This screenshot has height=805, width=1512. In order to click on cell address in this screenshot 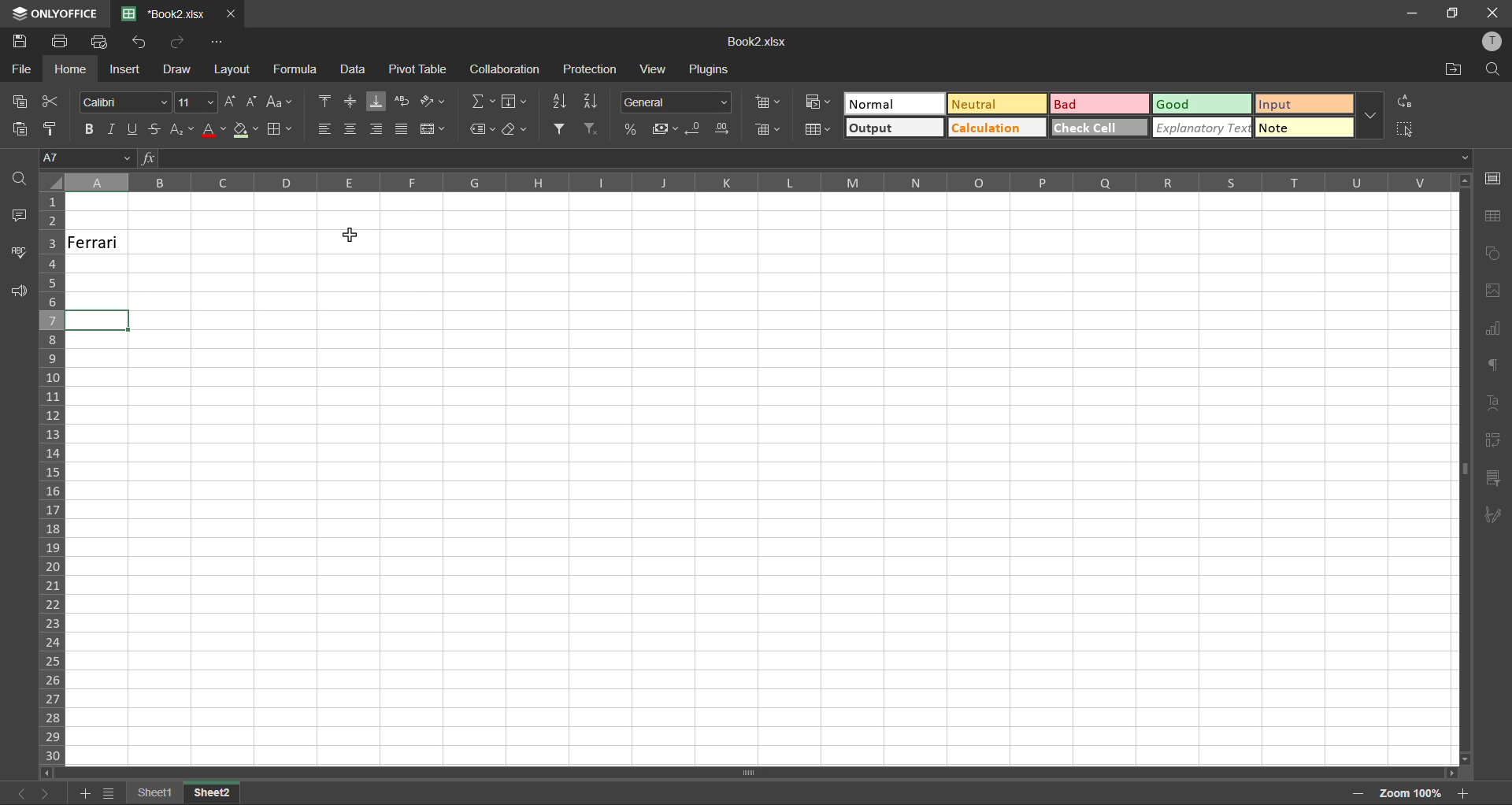, I will do `click(86, 158)`.